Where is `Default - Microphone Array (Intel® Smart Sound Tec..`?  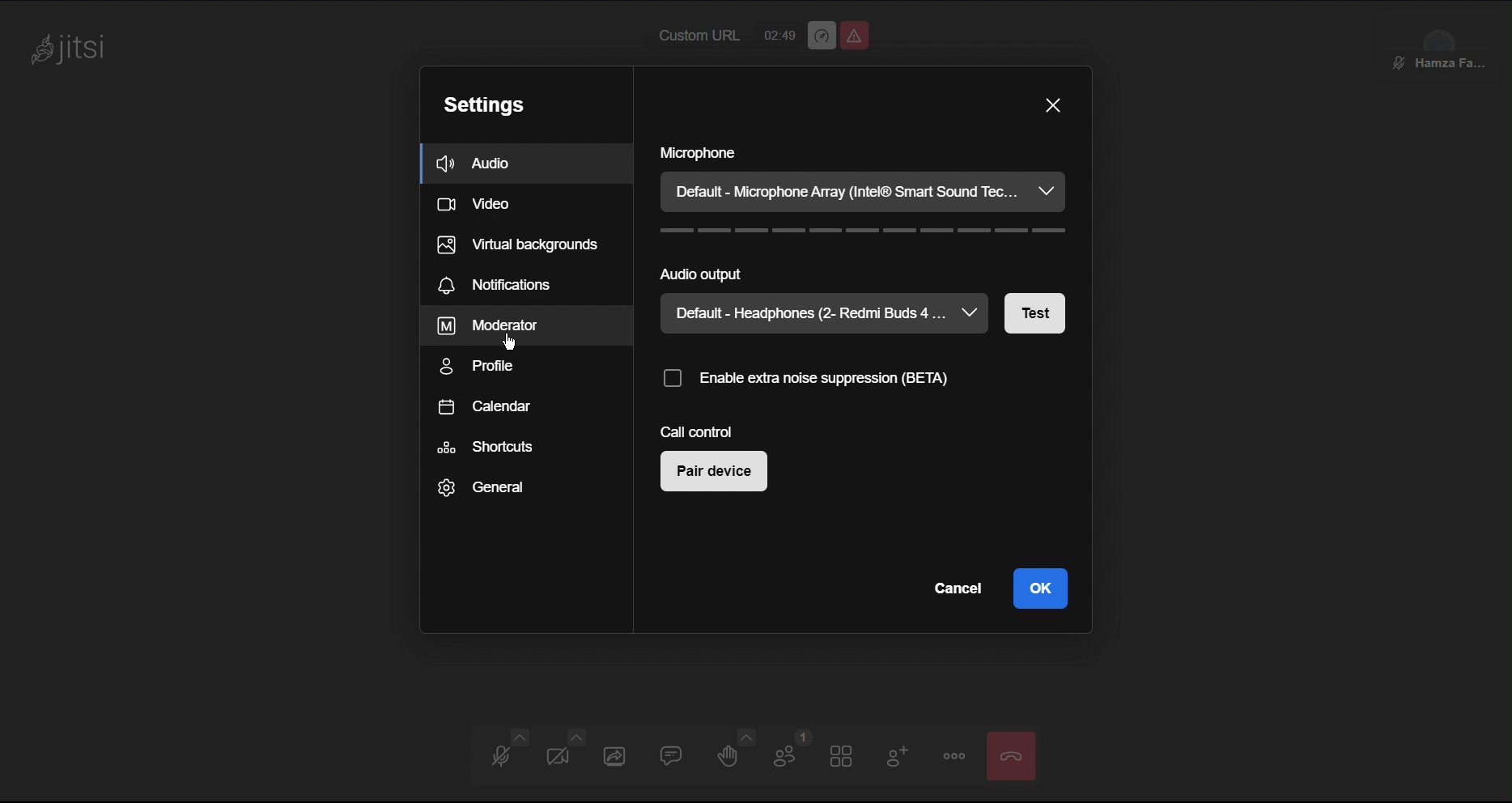 Default - Microphone Array (Intel® Smart Sound Tec.. is located at coordinates (861, 193).